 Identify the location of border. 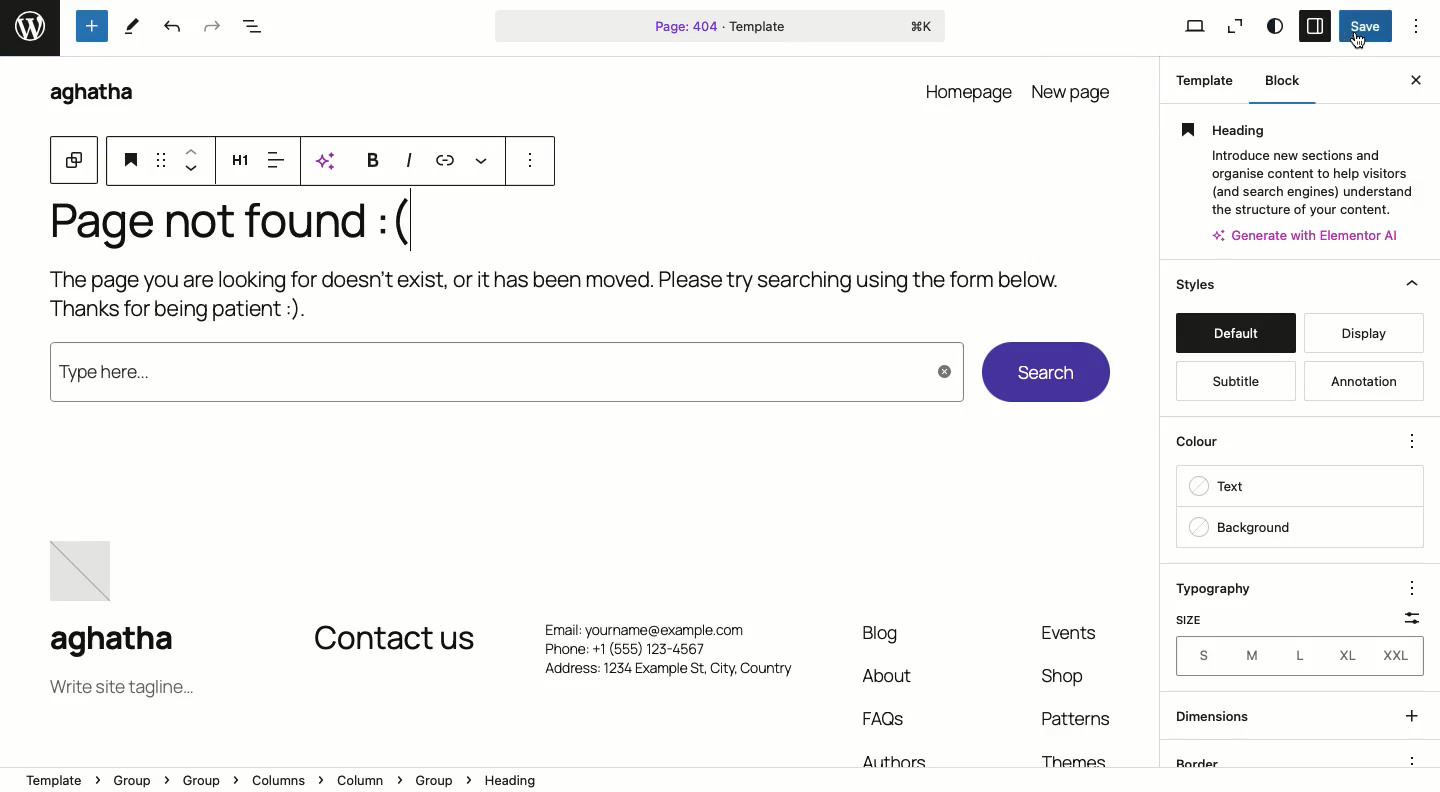
(1245, 759).